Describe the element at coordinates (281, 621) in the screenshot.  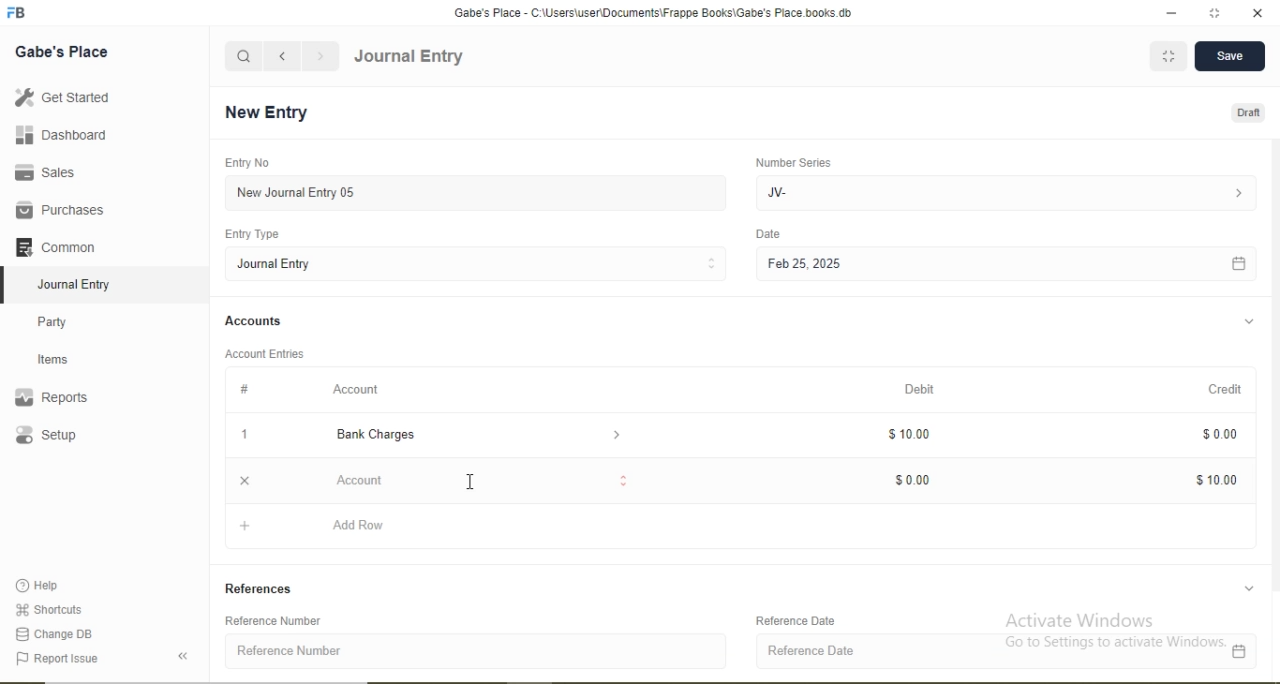
I see `Reference Number` at that location.